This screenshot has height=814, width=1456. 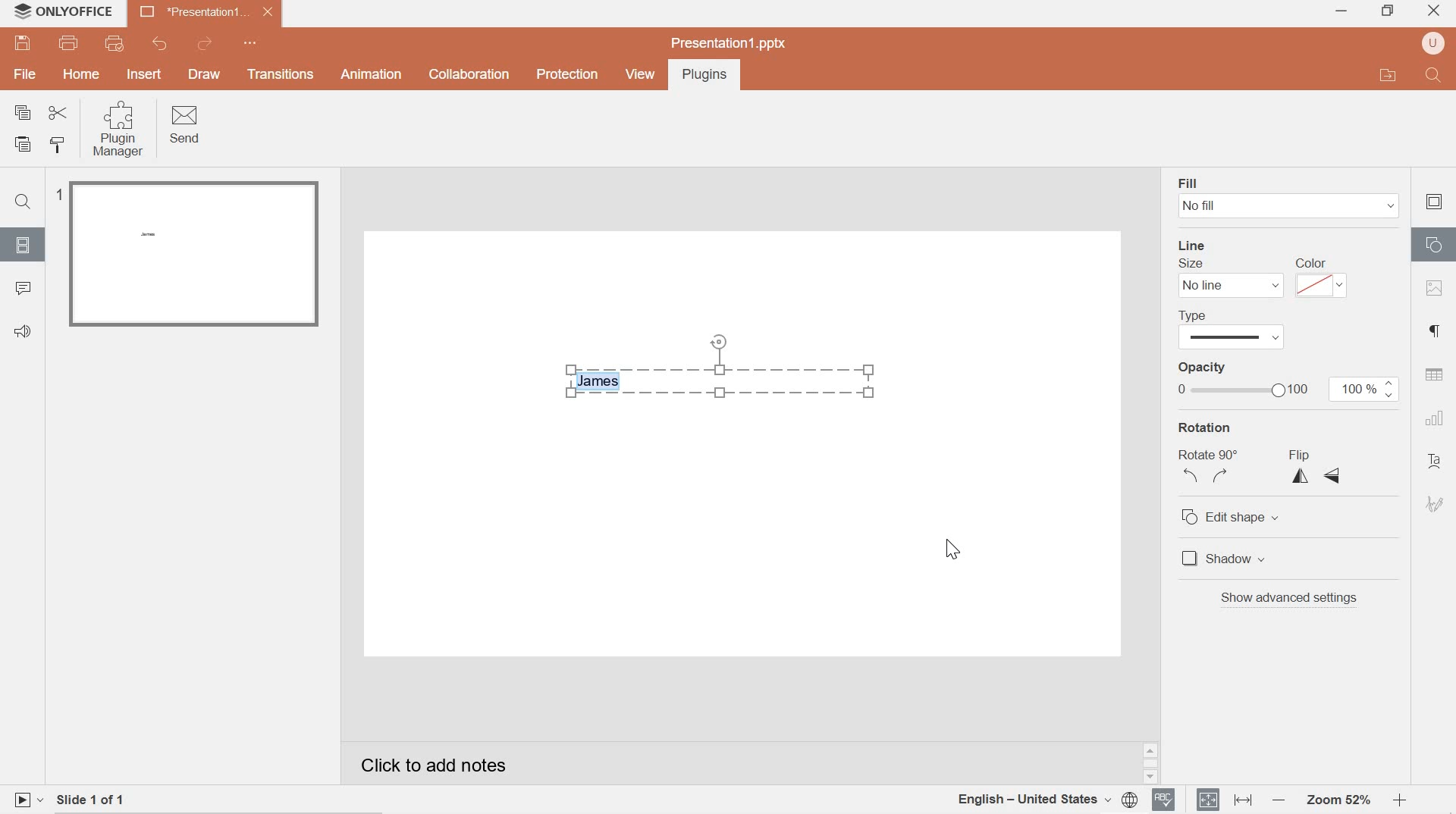 What do you see at coordinates (25, 290) in the screenshot?
I see `comments` at bounding box center [25, 290].